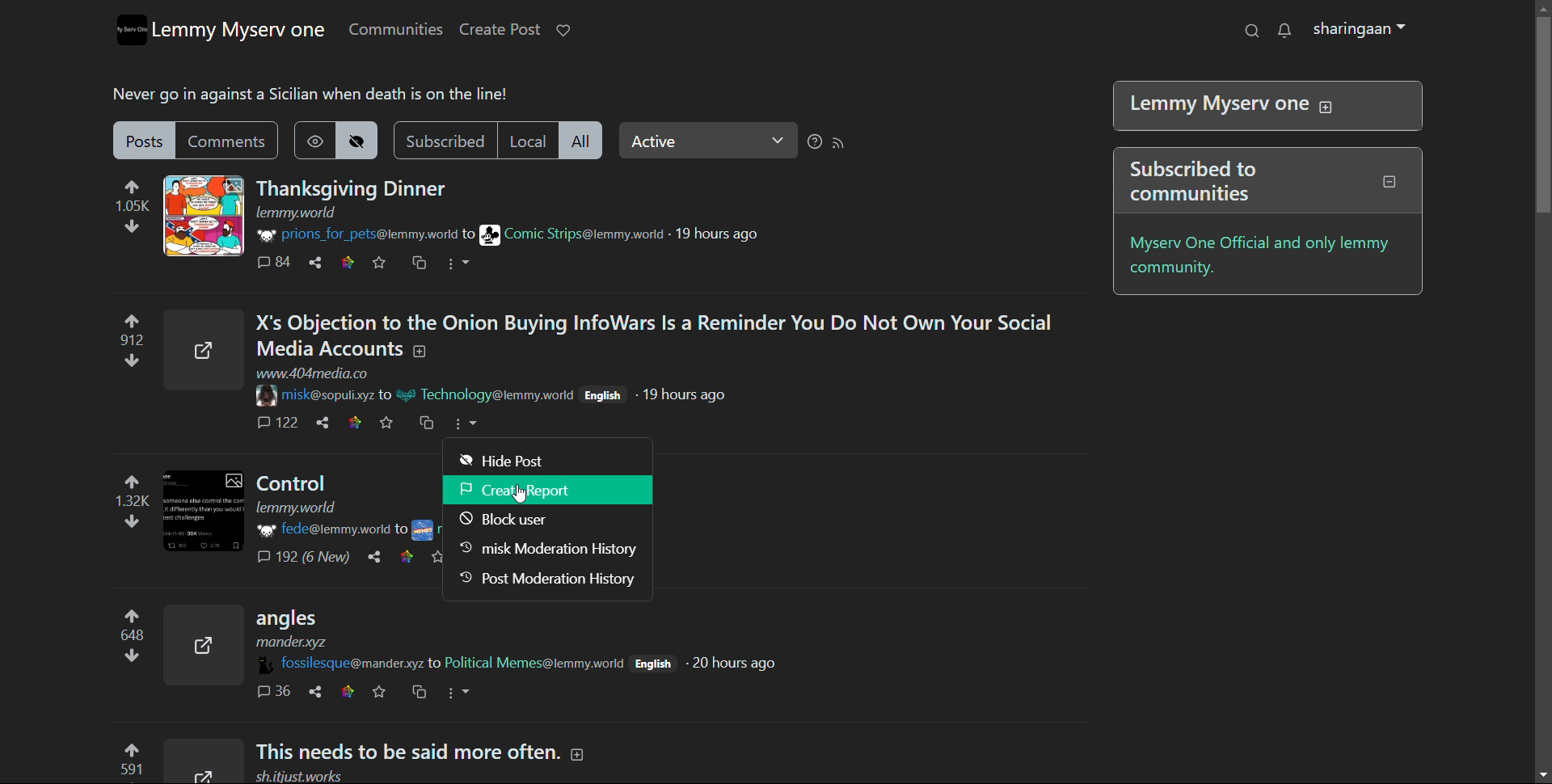 This screenshot has width=1552, height=784. I want to click on favorite, so click(386, 423).